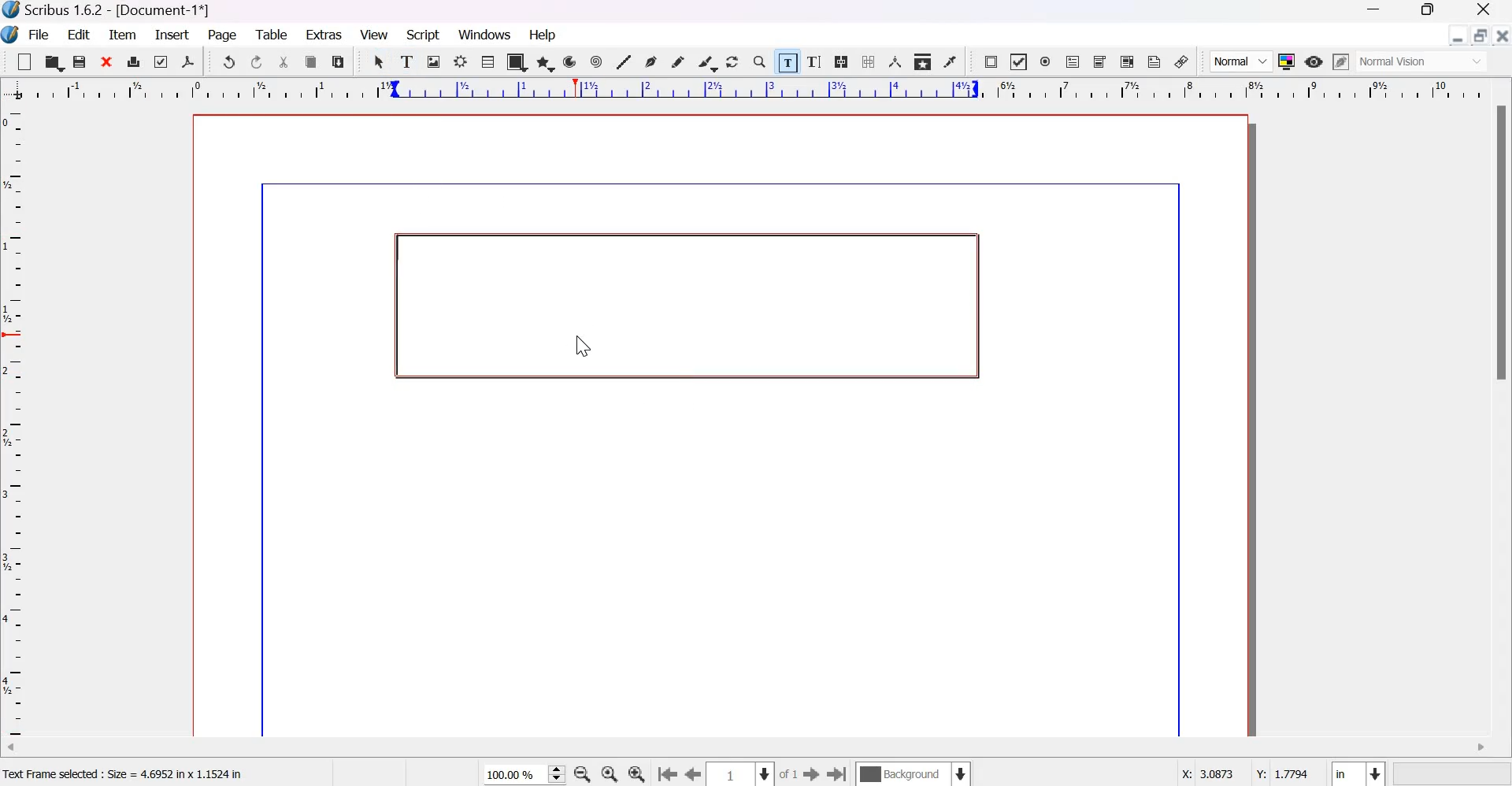 Image resolution: width=1512 pixels, height=786 pixels. I want to click on script, so click(424, 35).